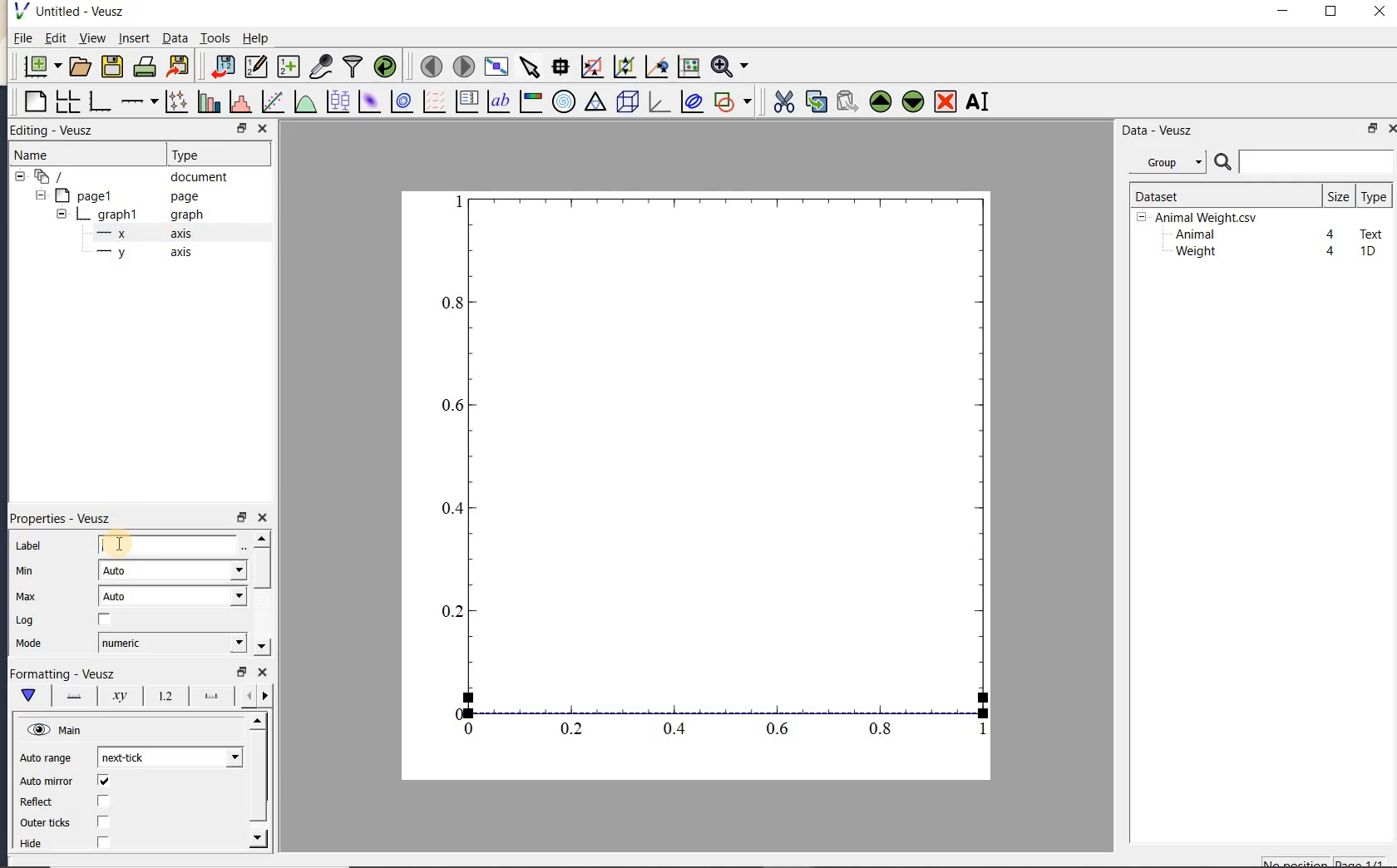  What do you see at coordinates (591, 67) in the screenshot?
I see `click or draw a rectangle to zoom graph axes` at bounding box center [591, 67].